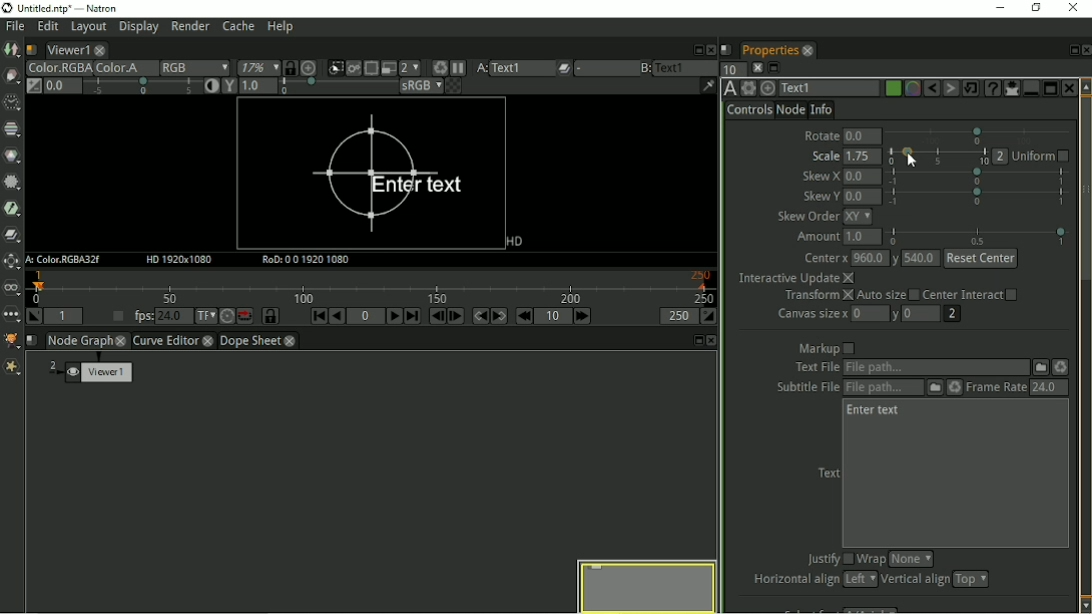 This screenshot has height=614, width=1092. I want to click on RGB, so click(195, 66).